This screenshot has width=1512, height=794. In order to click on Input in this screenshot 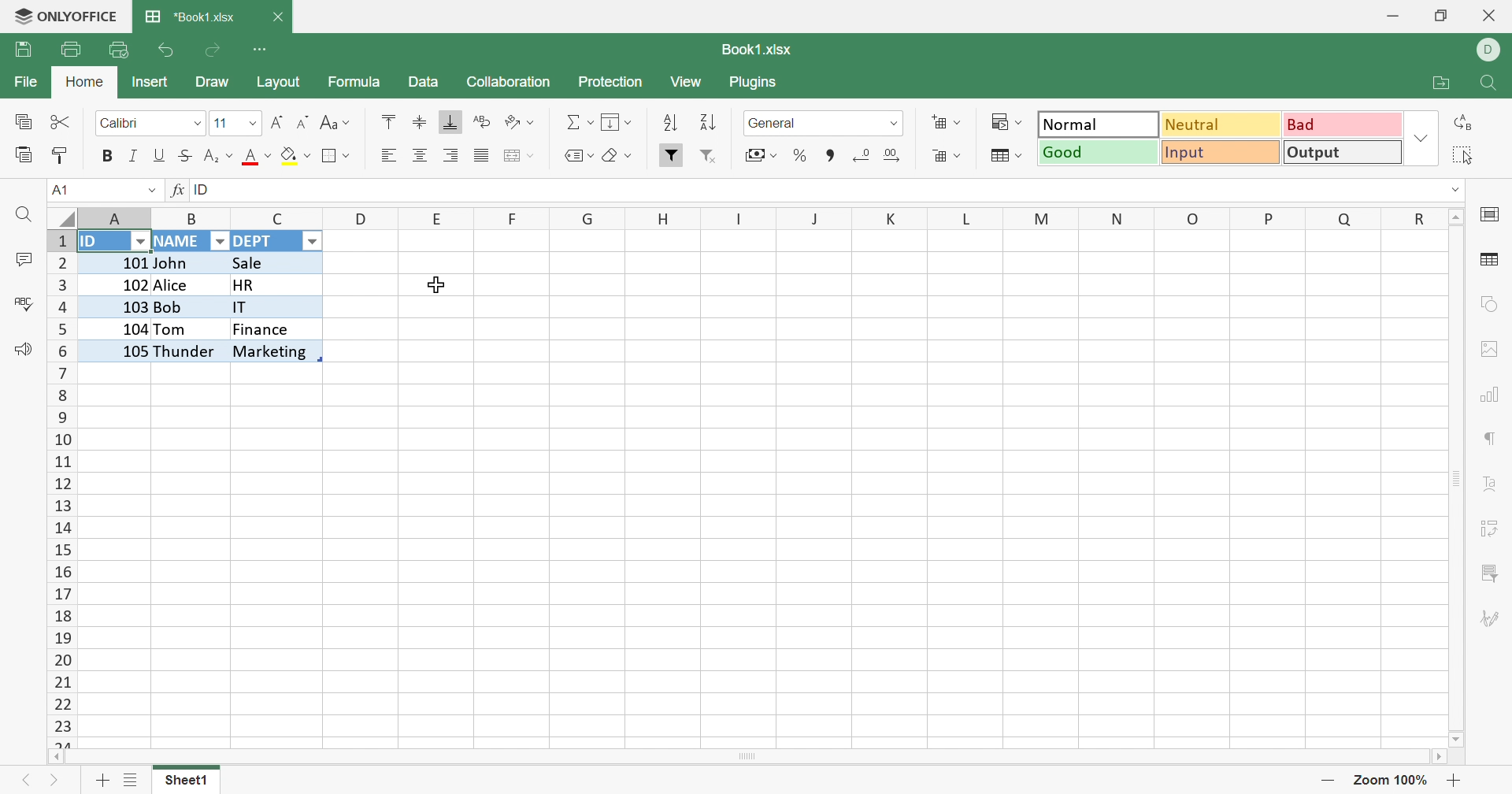, I will do `click(1218, 152)`.